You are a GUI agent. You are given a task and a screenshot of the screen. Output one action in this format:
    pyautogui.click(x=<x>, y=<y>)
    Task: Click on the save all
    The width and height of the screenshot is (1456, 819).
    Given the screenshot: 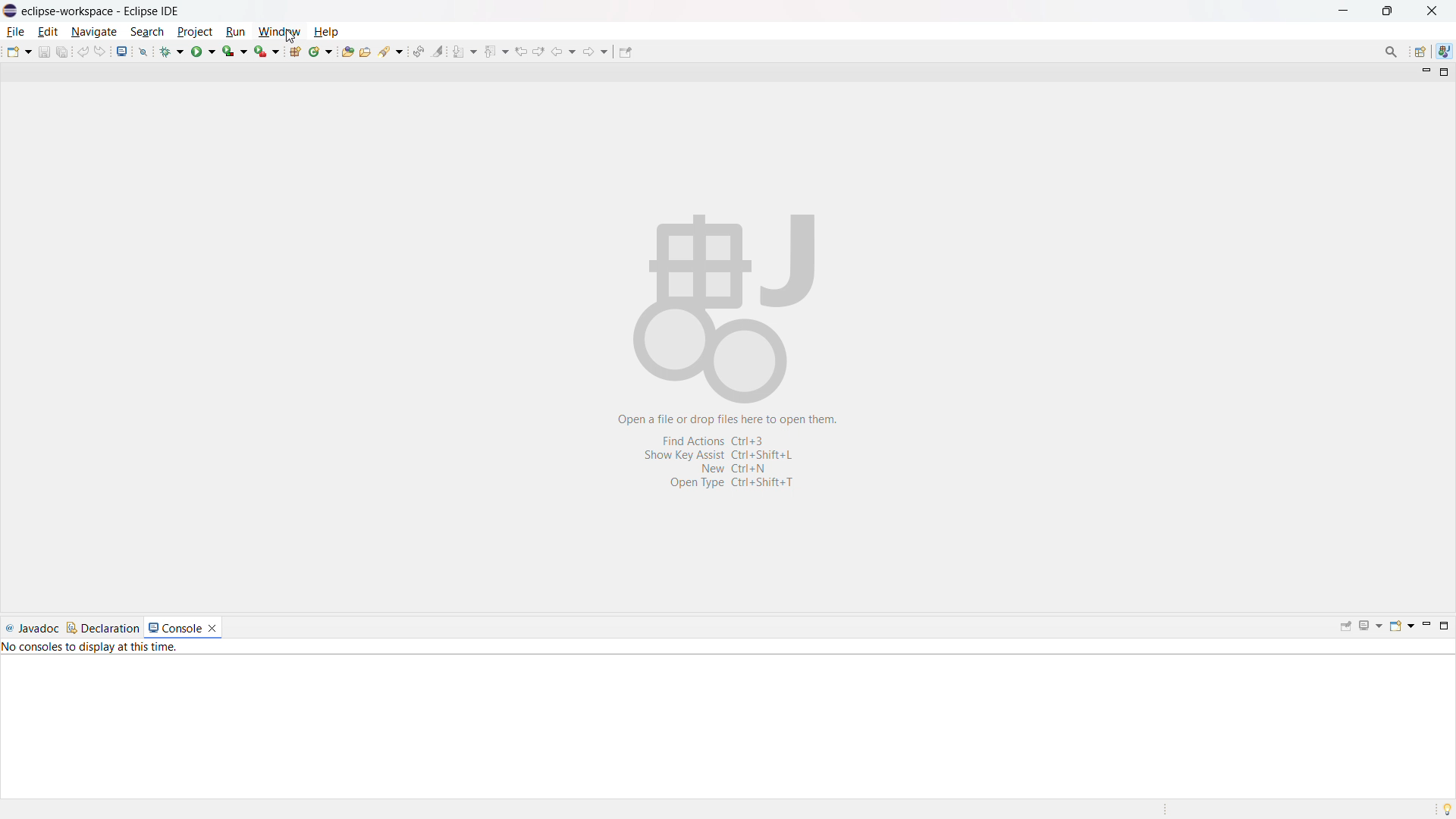 What is the action you would take?
    pyautogui.click(x=62, y=52)
    